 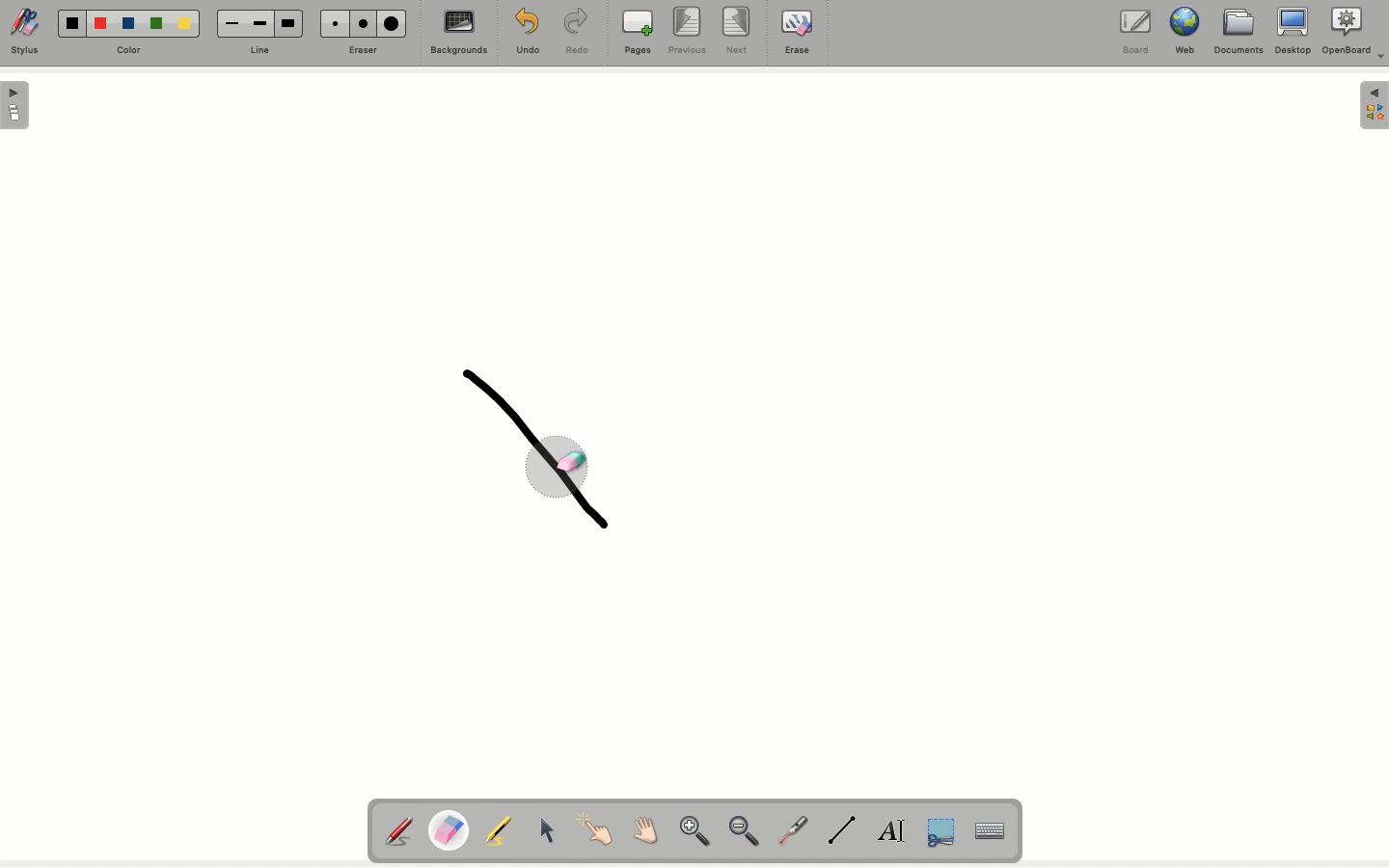 What do you see at coordinates (290, 21) in the screenshot?
I see `Large` at bounding box center [290, 21].